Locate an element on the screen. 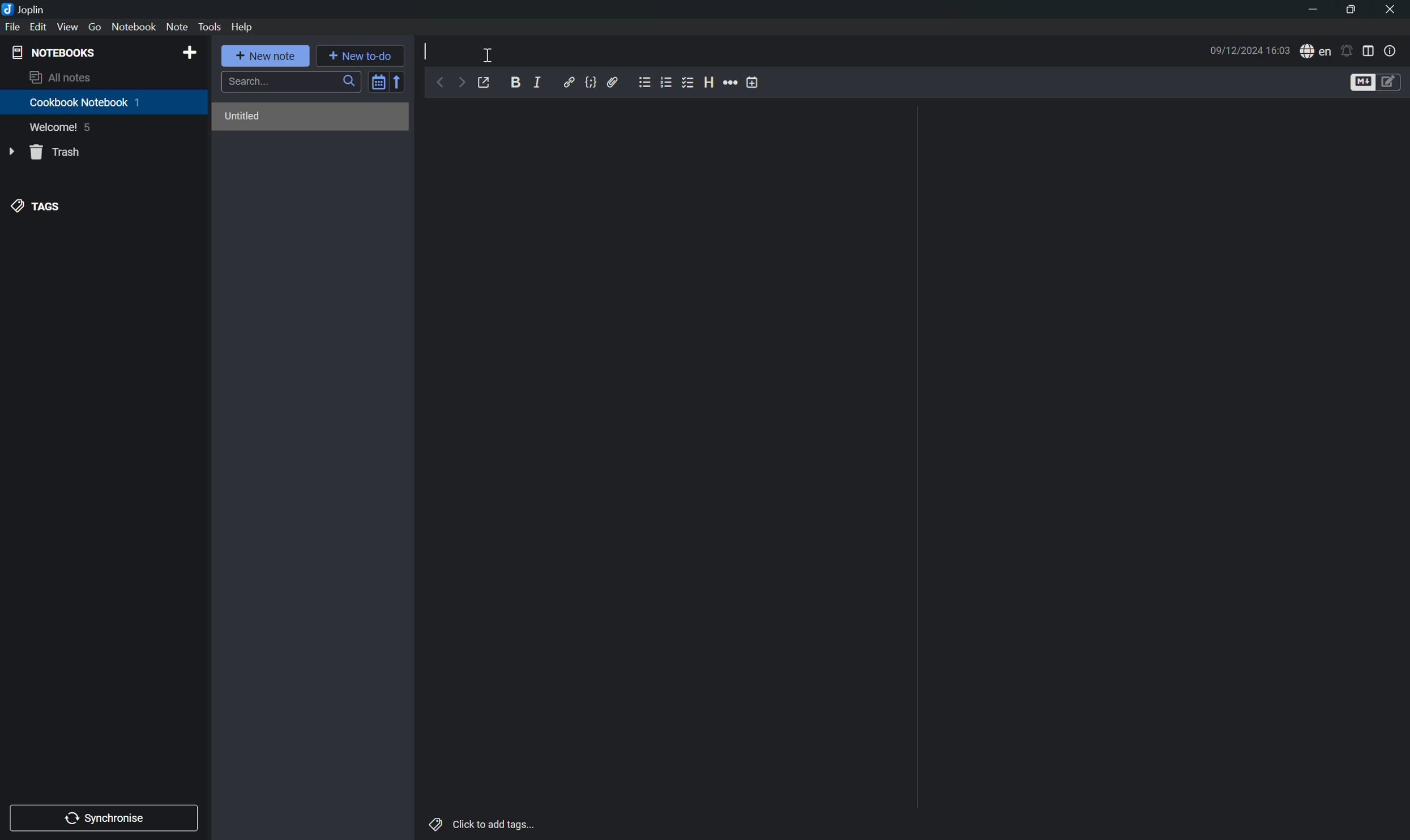 The image size is (1410, 840). All notes is located at coordinates (60, 78).